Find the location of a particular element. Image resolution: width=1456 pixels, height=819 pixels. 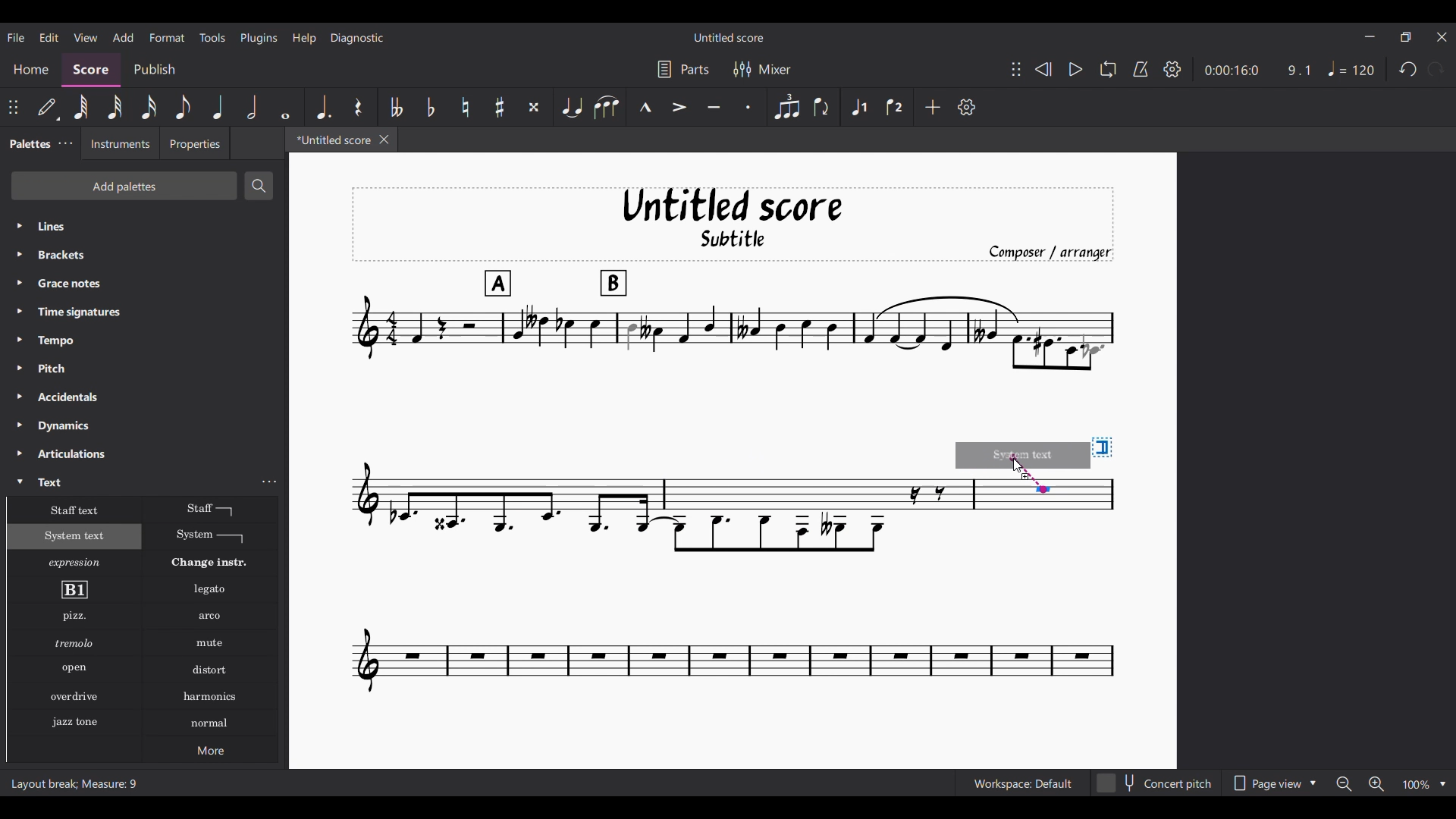

Edit menu is located at coordinates (49, 38).